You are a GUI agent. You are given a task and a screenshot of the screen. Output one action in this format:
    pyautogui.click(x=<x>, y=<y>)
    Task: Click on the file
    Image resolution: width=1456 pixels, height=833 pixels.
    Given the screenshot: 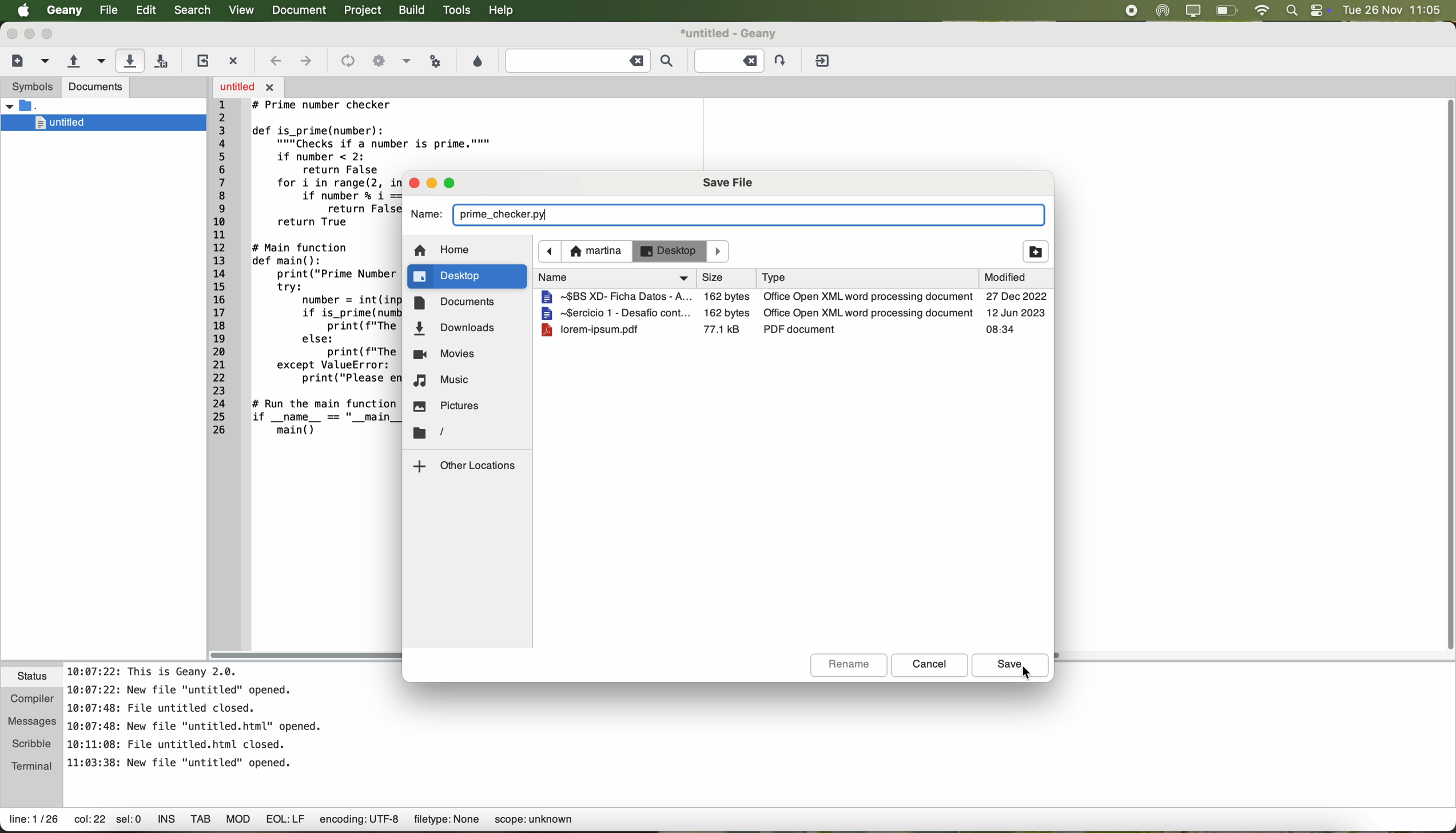 What is the action you would take?
    pyautogui.click(x=789, y=331)
    